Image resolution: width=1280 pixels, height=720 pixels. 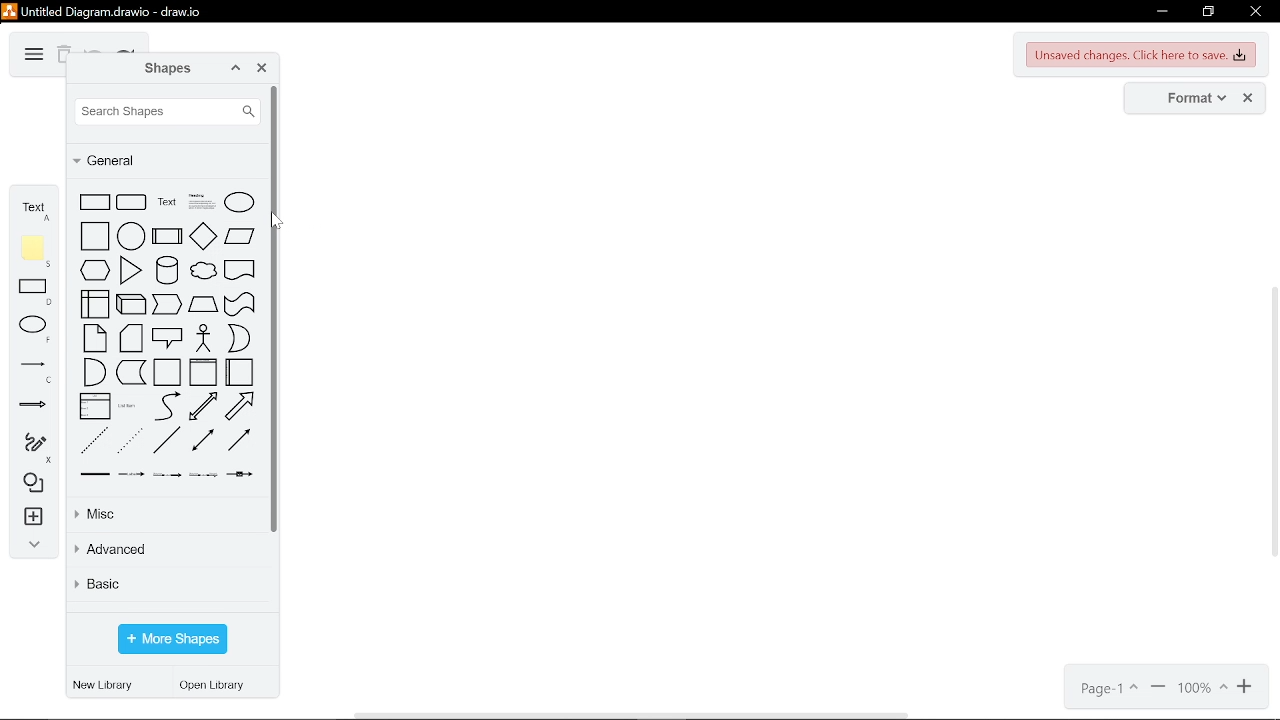 What do you see at coordinates (167, 236) in the screenshot?
I see `process` at bounding box center [167, 236].